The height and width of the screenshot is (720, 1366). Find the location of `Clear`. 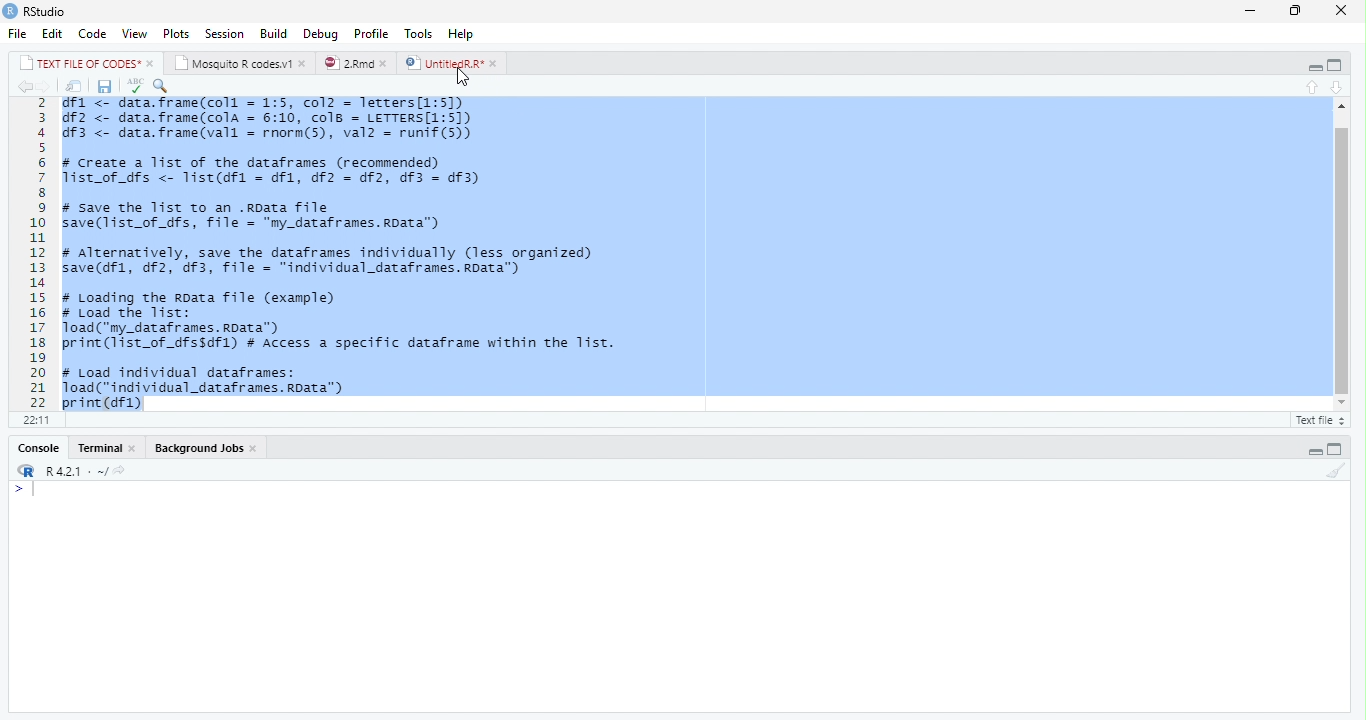

Clear is located at coordinates (1338, 472).